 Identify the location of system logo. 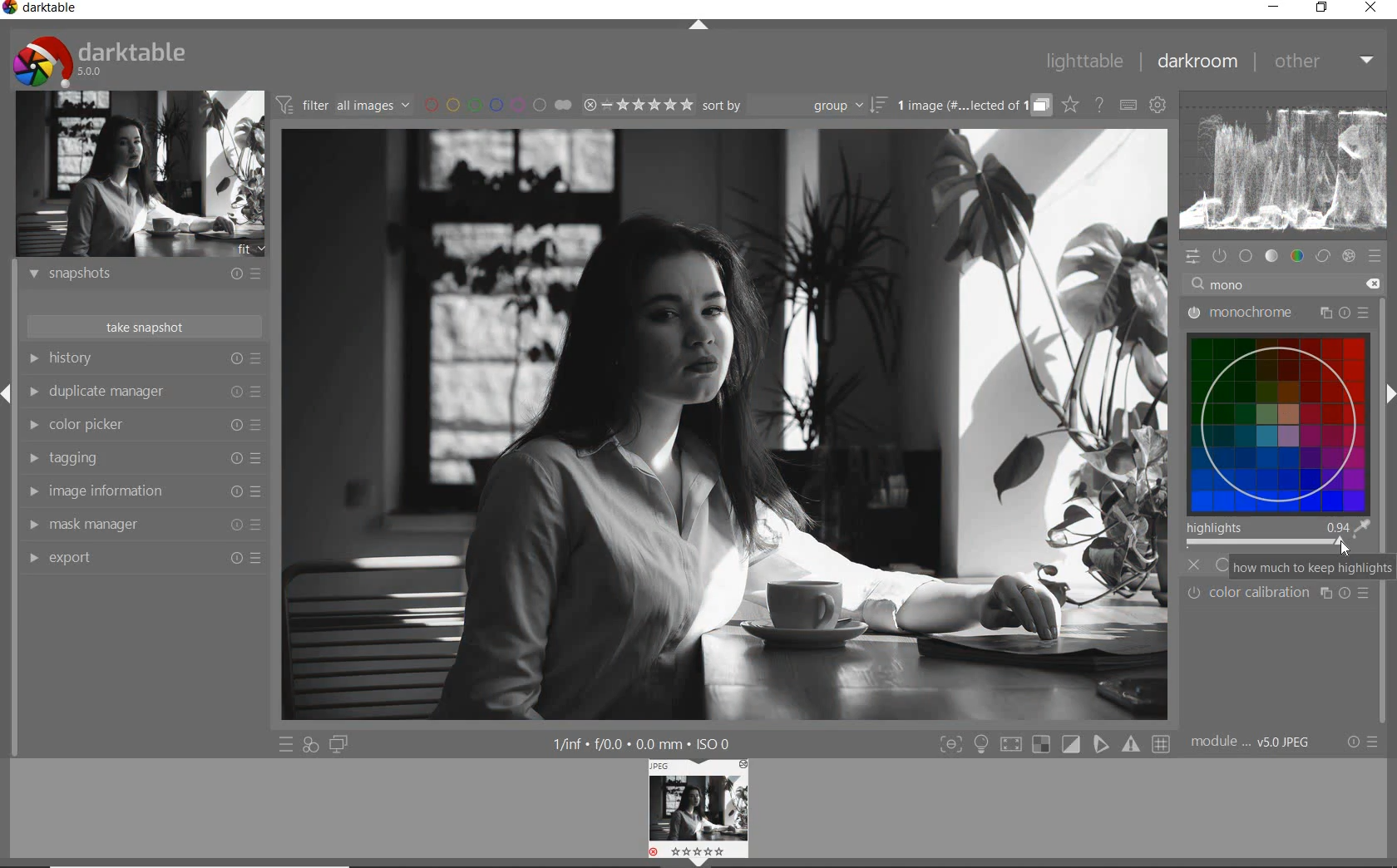
(101, 61).